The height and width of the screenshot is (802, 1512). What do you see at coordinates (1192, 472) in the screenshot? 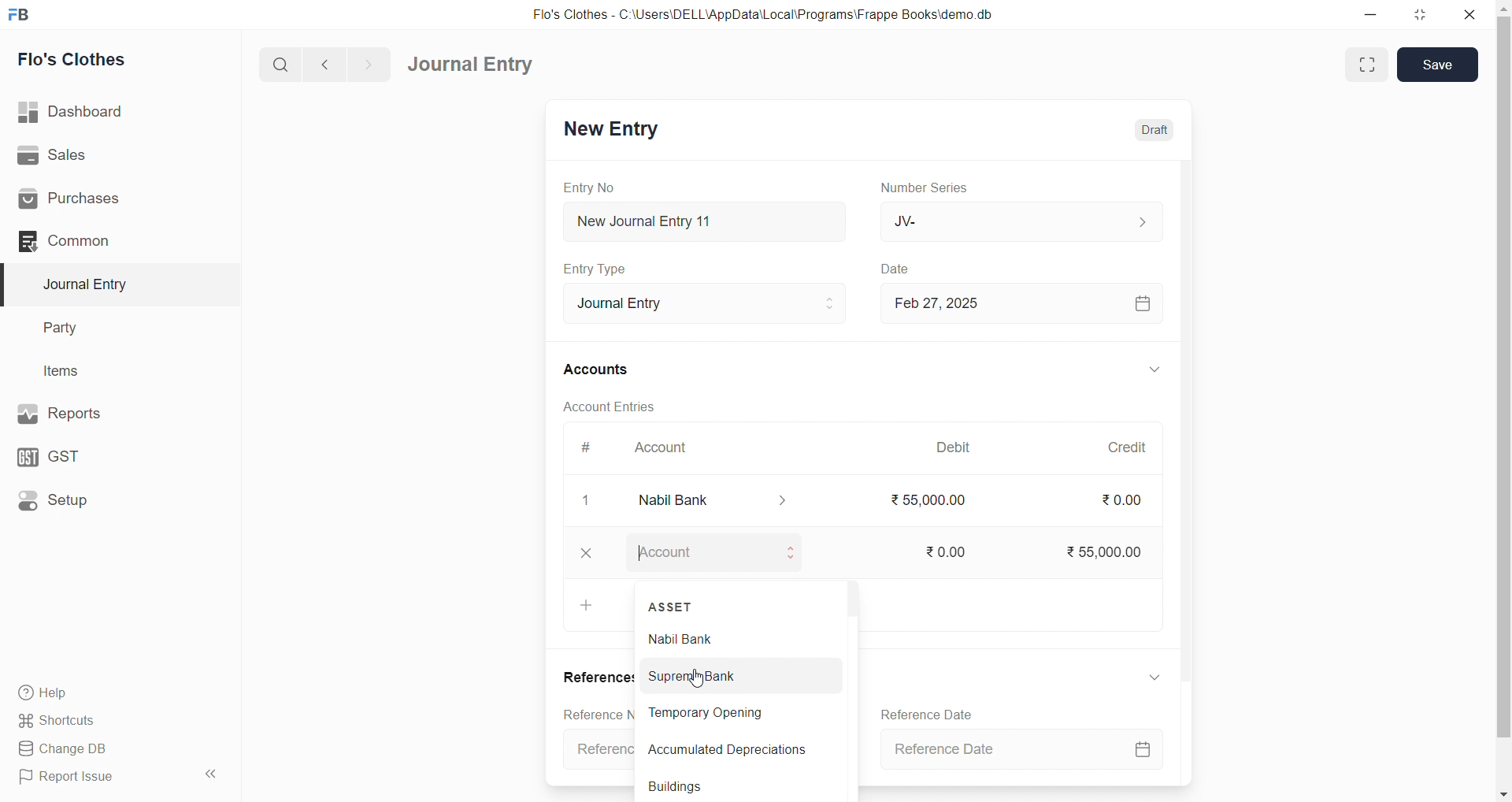
I see `VERTICAL SCROLL BAR` at bounding box center [1192, 472].